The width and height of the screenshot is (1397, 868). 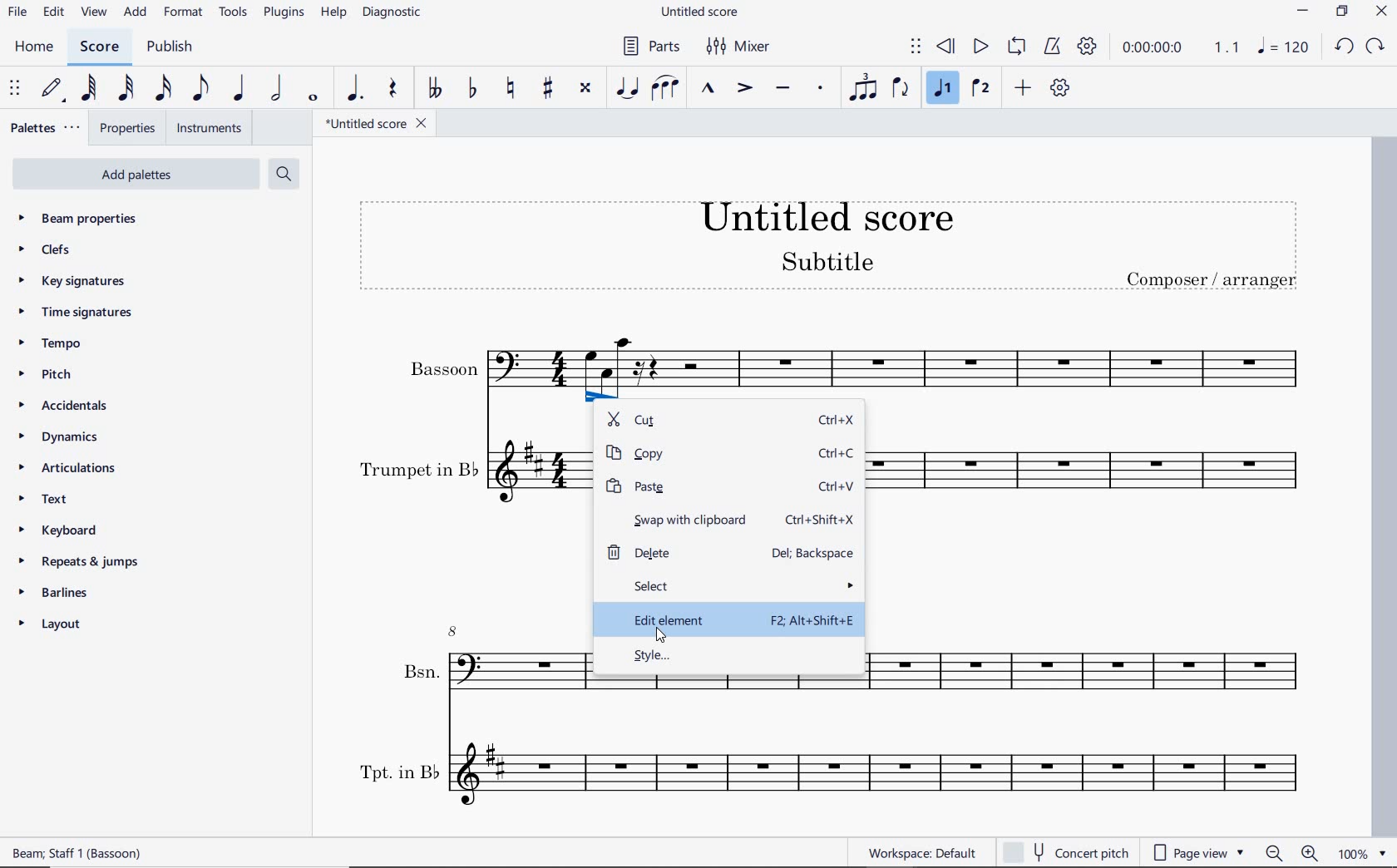 I want to click on RESTORE DOWN, so click(x=1341, y=11).